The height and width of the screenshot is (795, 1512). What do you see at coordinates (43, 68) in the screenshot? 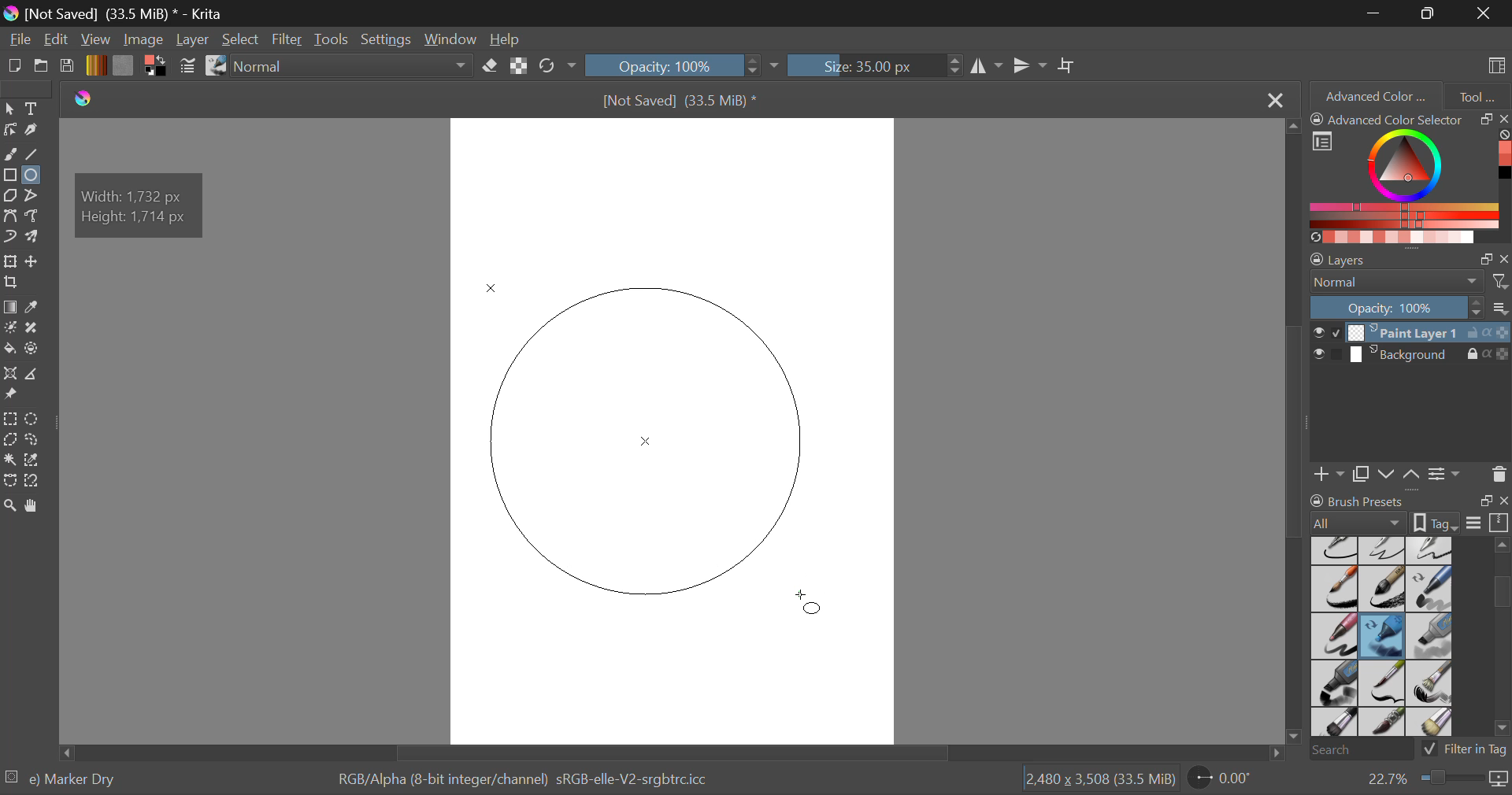
I see `Open` at bounding box center [43, 68].